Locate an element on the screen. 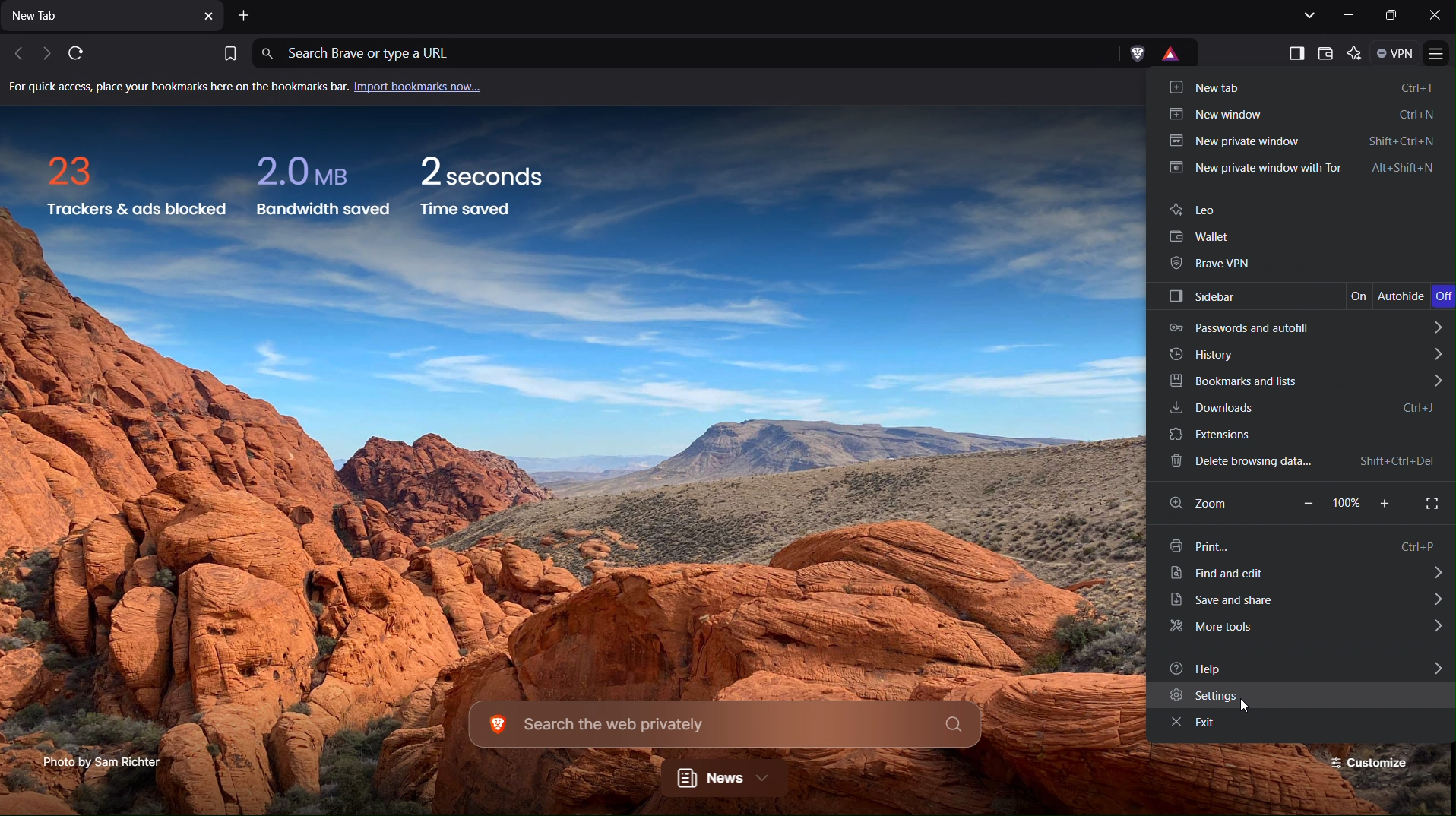  Downloads is located at coordinates (1302, 411).